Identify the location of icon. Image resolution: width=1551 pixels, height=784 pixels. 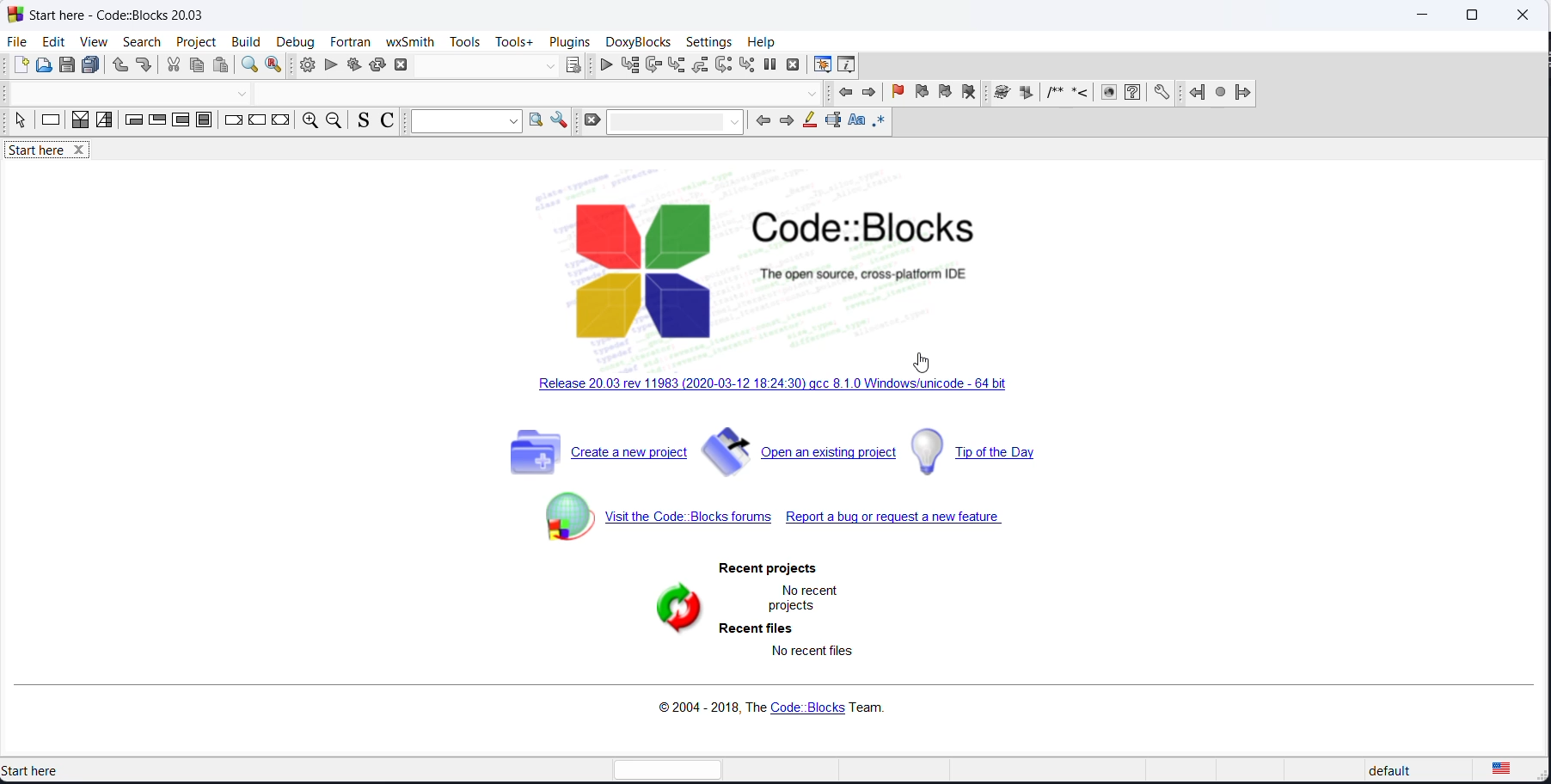
(1081, 95).